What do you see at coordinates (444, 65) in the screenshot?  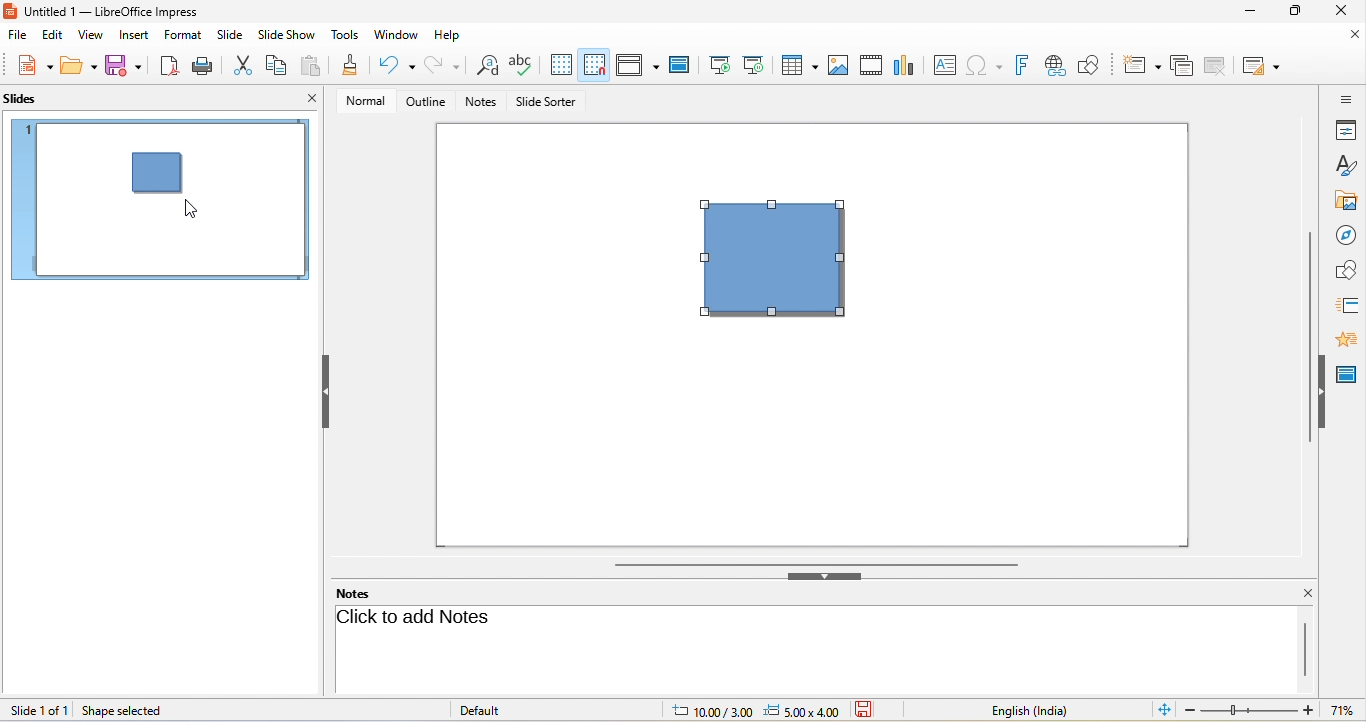 I see `redo` at bounding box center [444, 65].